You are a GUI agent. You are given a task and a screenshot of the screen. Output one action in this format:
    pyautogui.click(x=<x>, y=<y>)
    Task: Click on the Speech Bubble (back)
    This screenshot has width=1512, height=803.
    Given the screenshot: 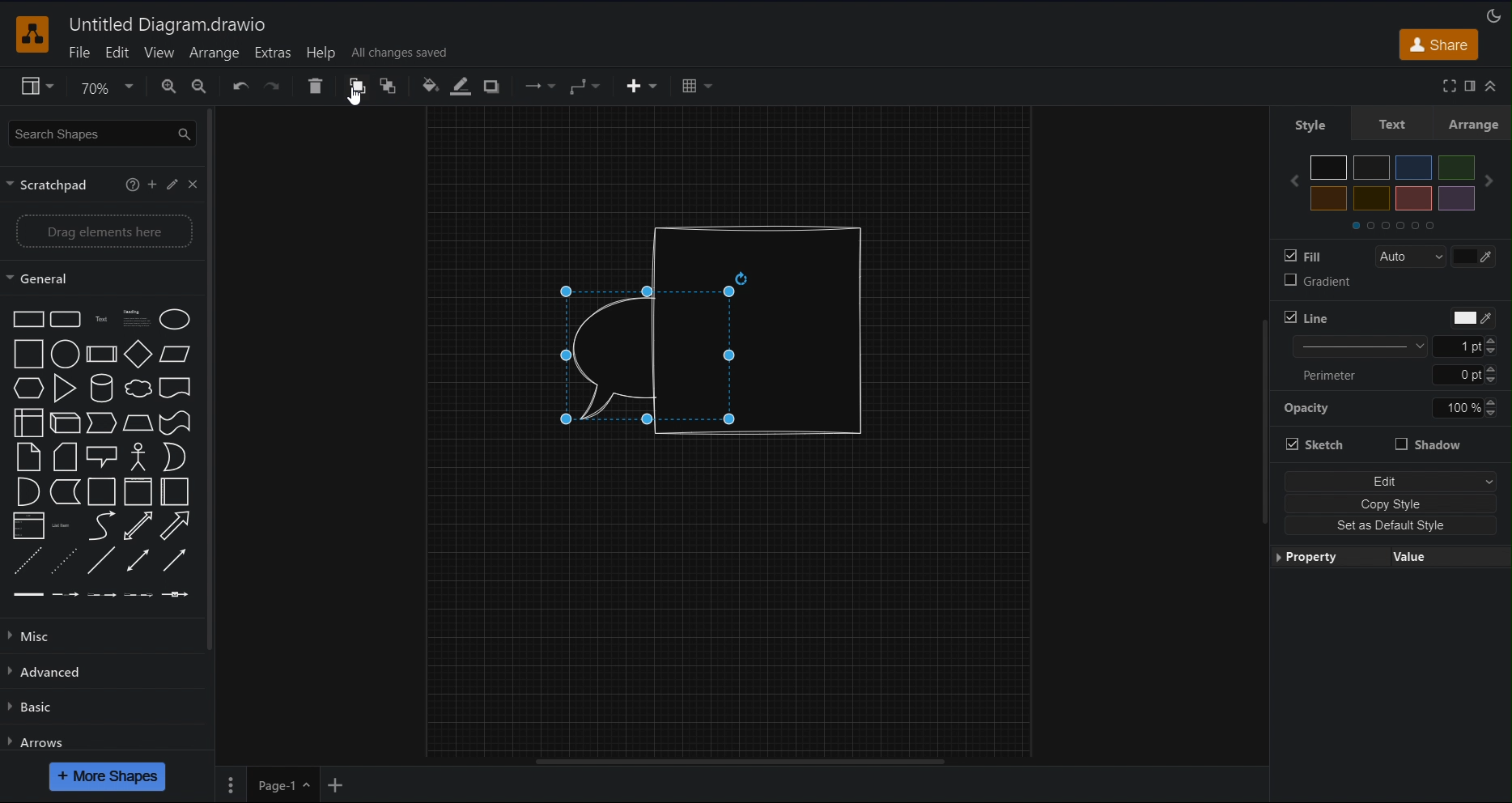 What is the action you would take?
    pyautogui.click(x=609, y=355)
    